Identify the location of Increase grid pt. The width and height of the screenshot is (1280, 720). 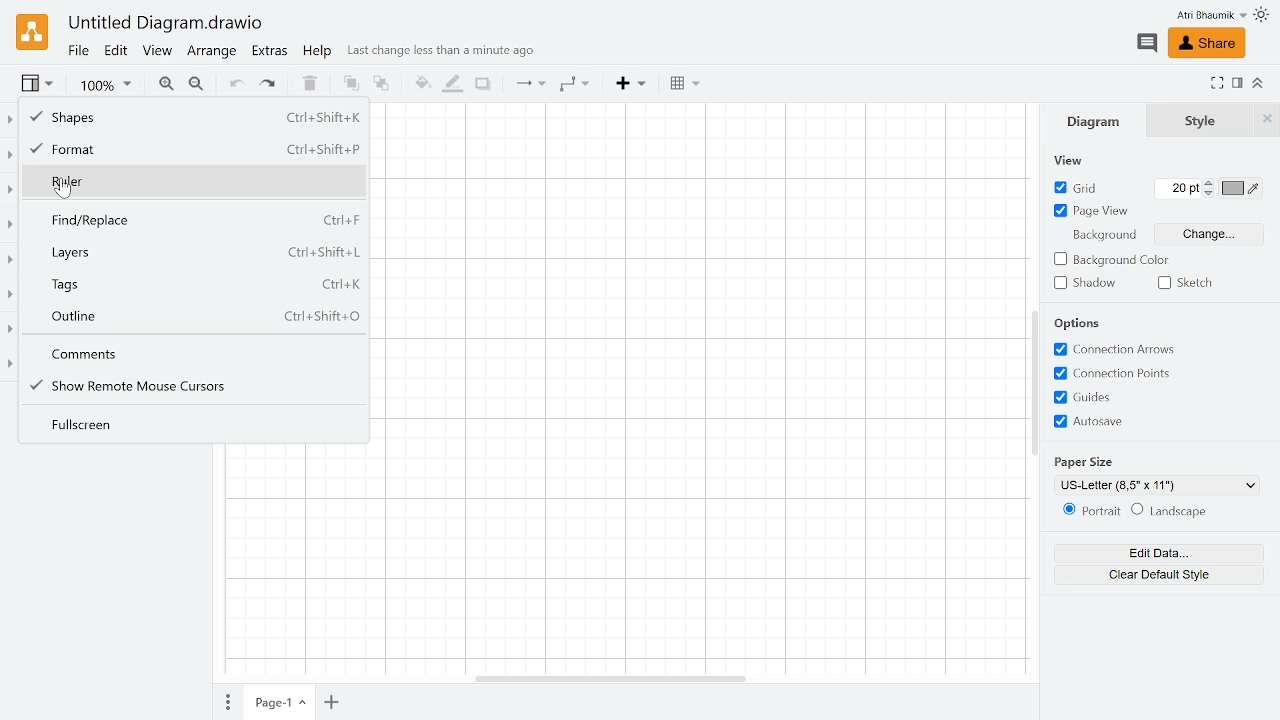
(1210, 184).